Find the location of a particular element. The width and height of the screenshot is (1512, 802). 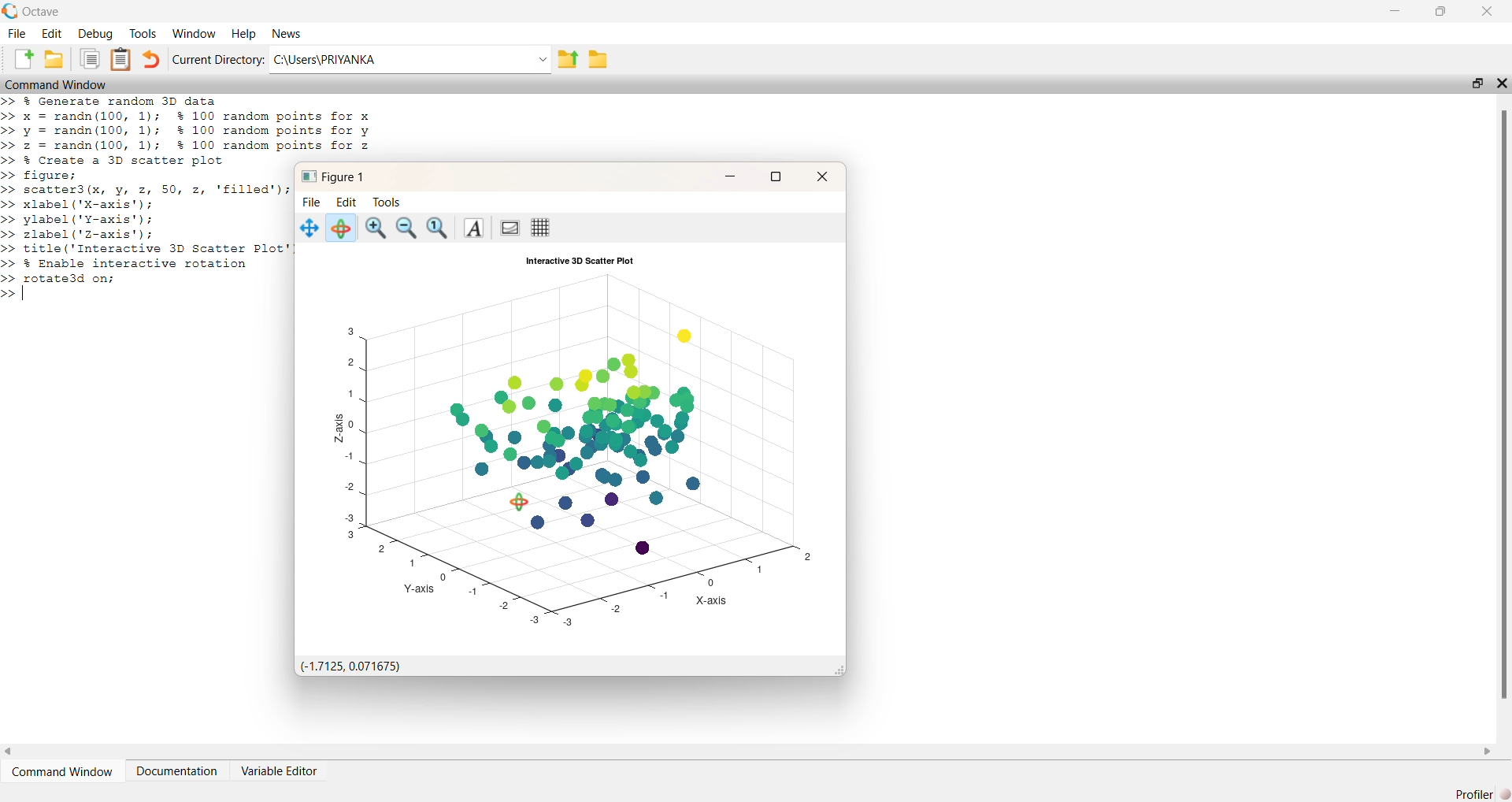

close is located at coordinates (821, 176).